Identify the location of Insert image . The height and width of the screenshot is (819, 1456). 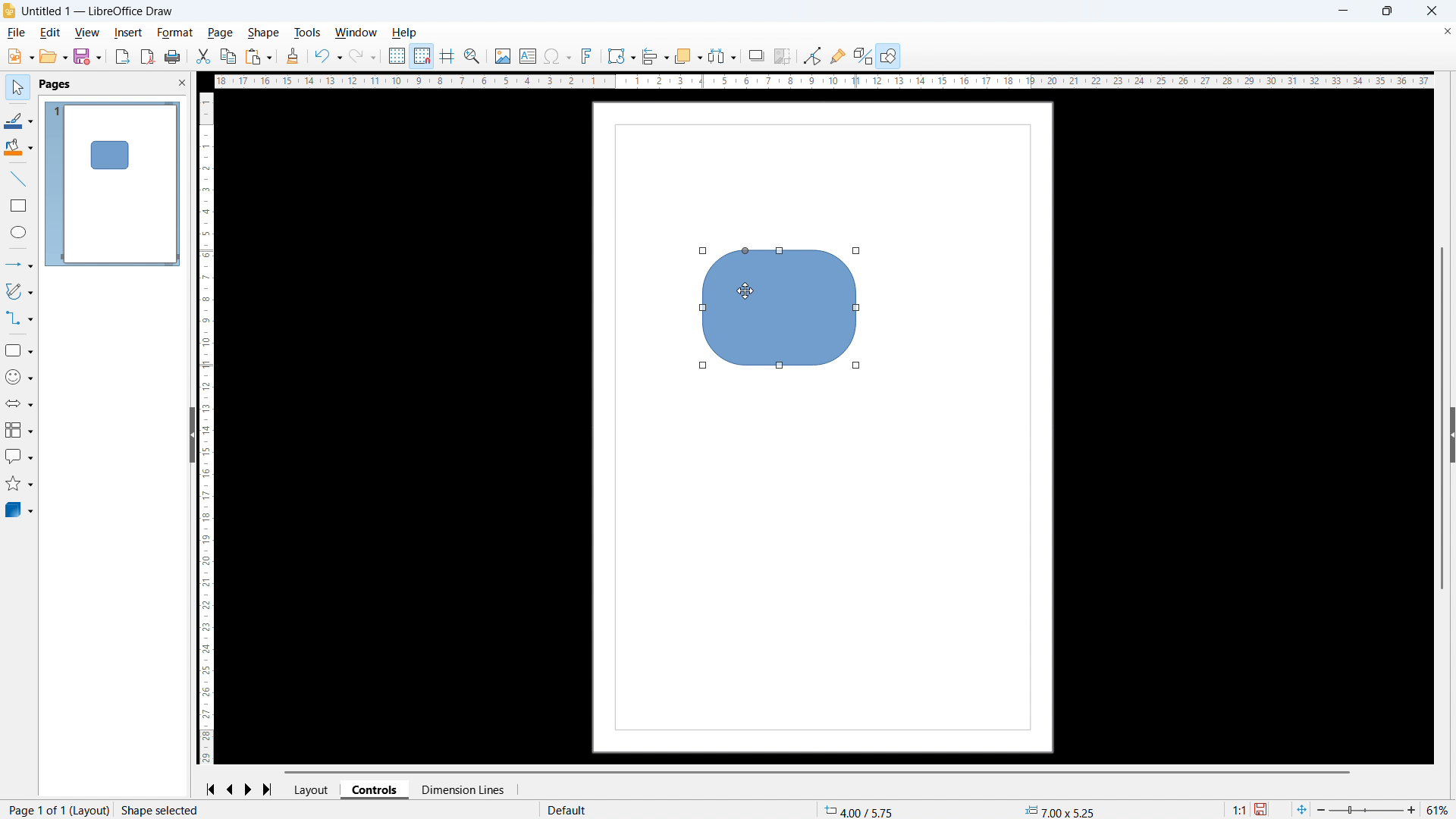
(502, 55).